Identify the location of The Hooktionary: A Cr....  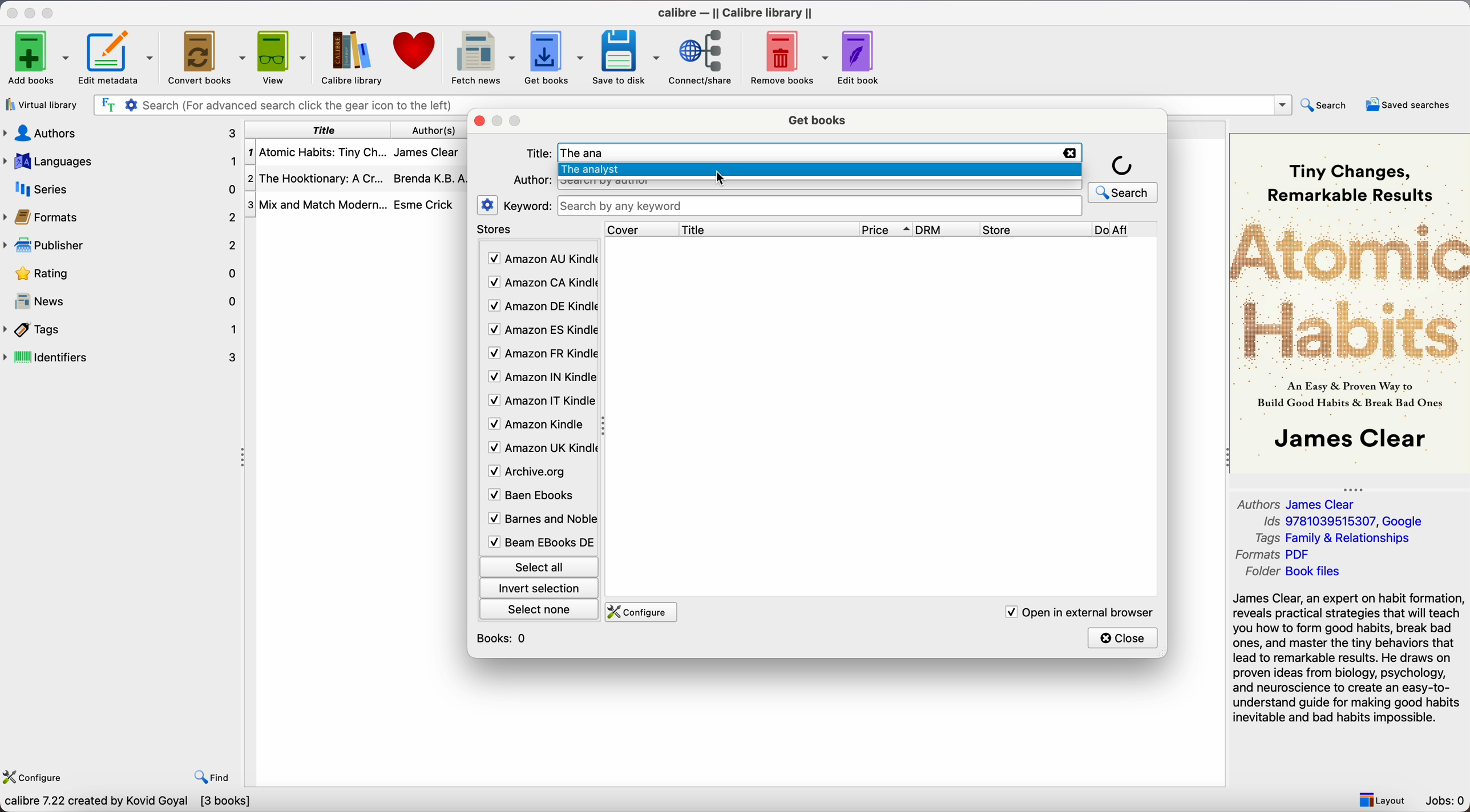
(320, 178).